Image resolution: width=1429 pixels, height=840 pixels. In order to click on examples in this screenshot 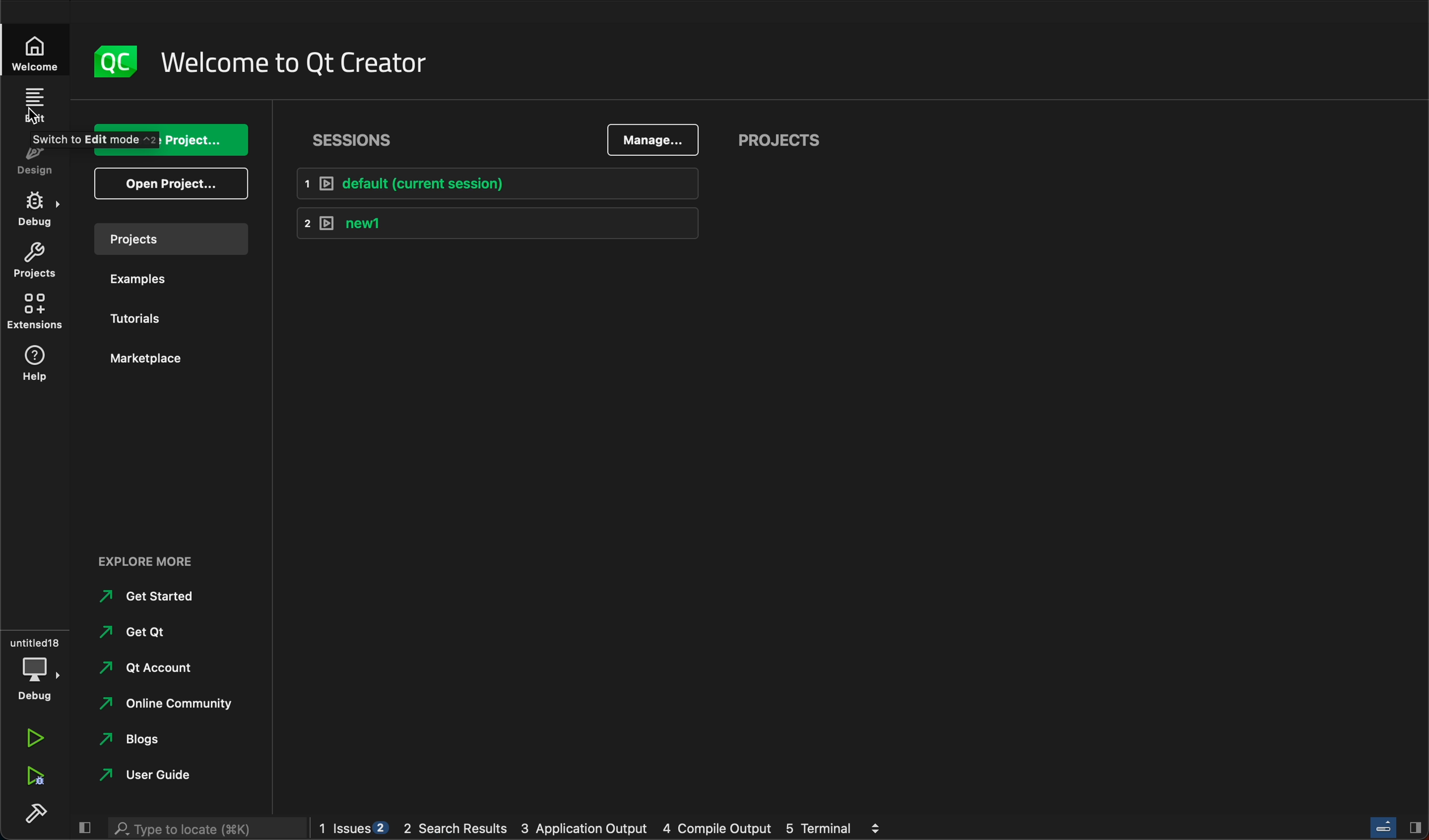, I will do `click(147, 280)`.